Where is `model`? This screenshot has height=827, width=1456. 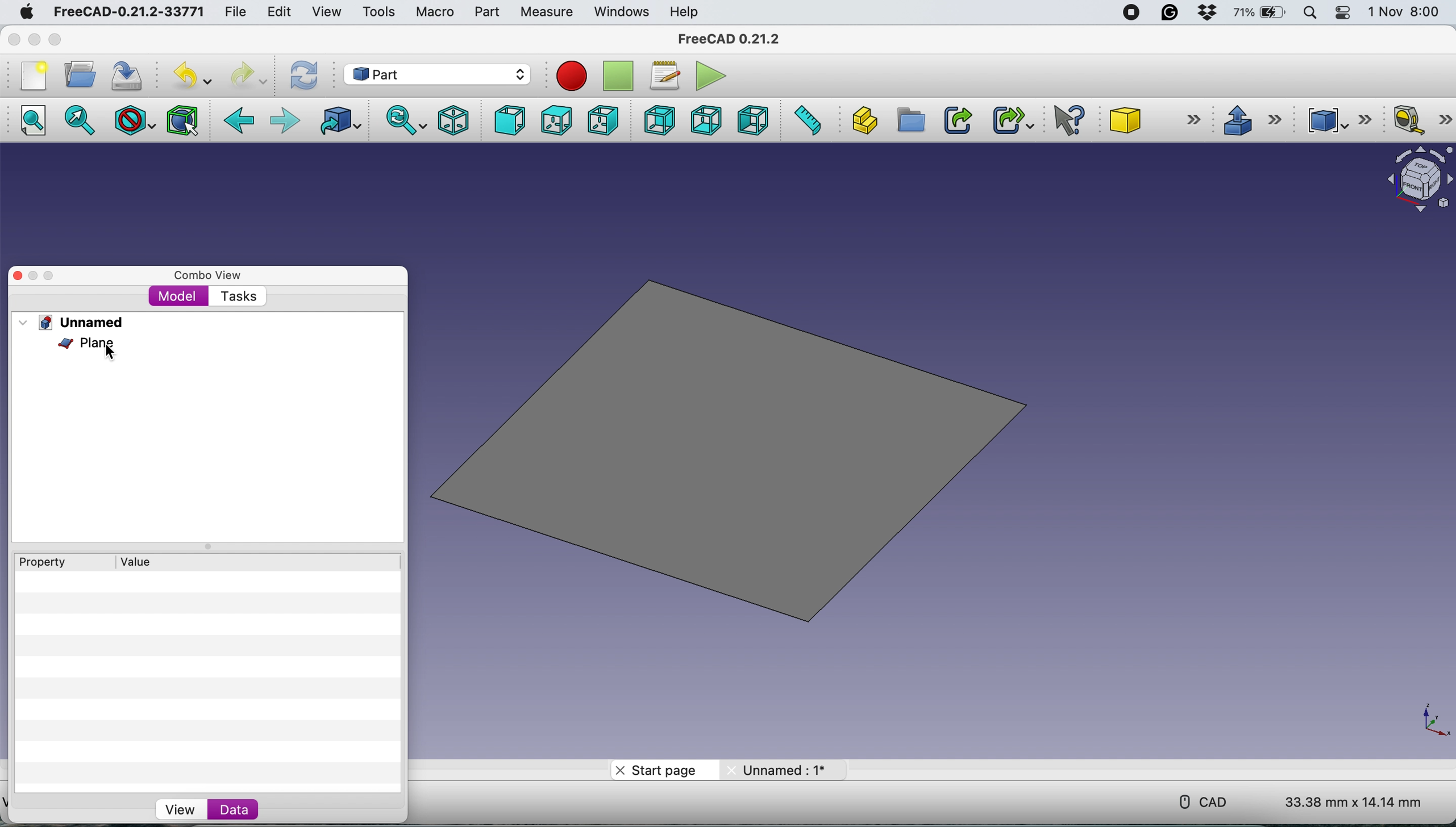
model is located at coordinates (175, 295).